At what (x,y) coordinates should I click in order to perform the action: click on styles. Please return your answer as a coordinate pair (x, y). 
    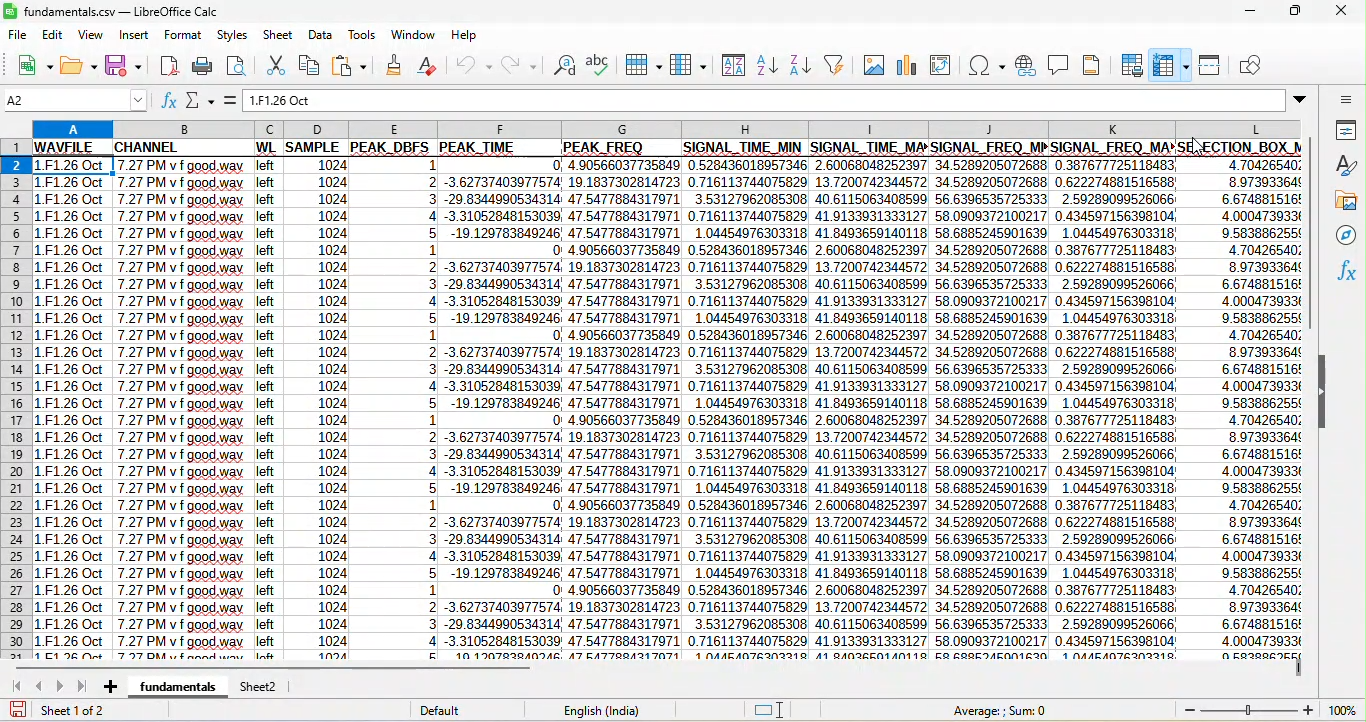
    Looking at the image, I should click on (233, 36).